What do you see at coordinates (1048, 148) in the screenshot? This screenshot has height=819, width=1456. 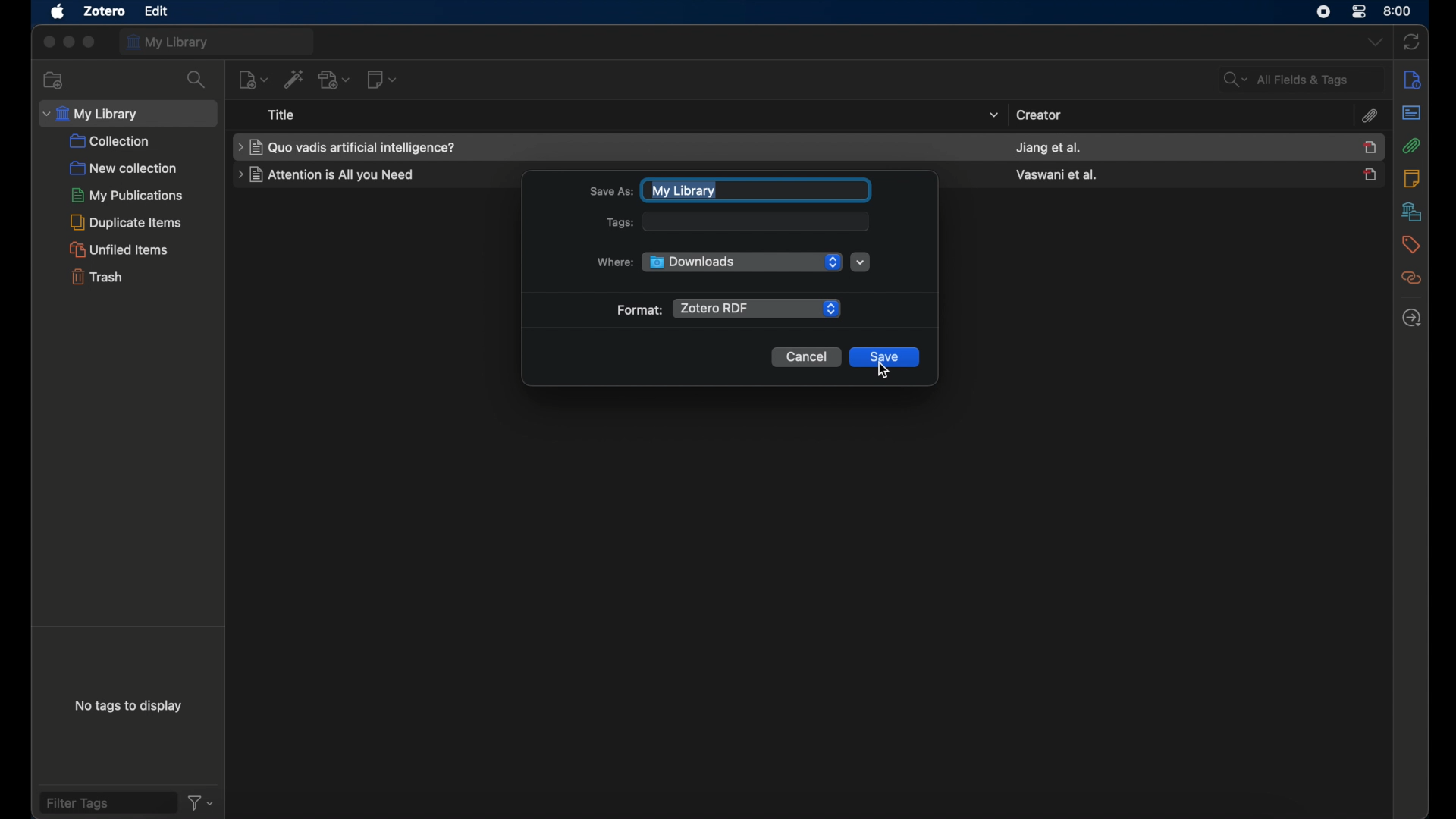 I see `creator name` at bounding box center [1048, 148].